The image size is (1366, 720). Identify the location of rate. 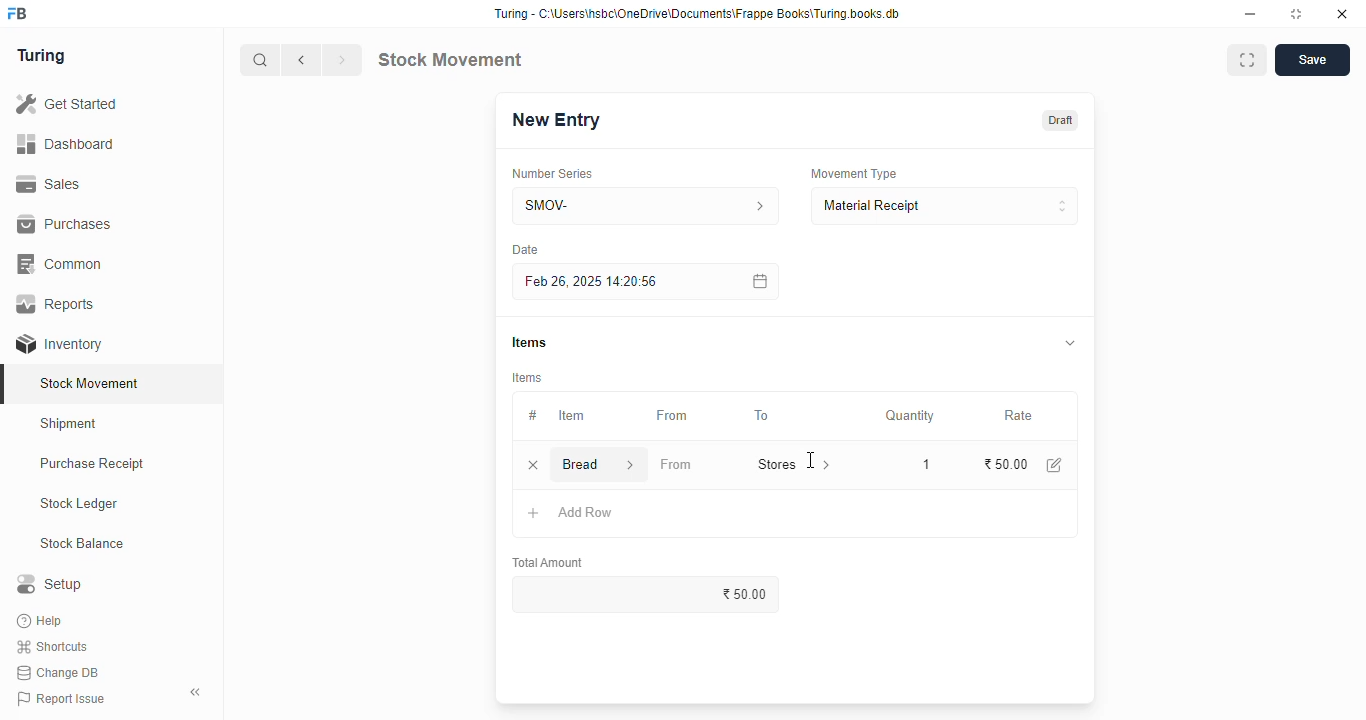
(1019, 416).